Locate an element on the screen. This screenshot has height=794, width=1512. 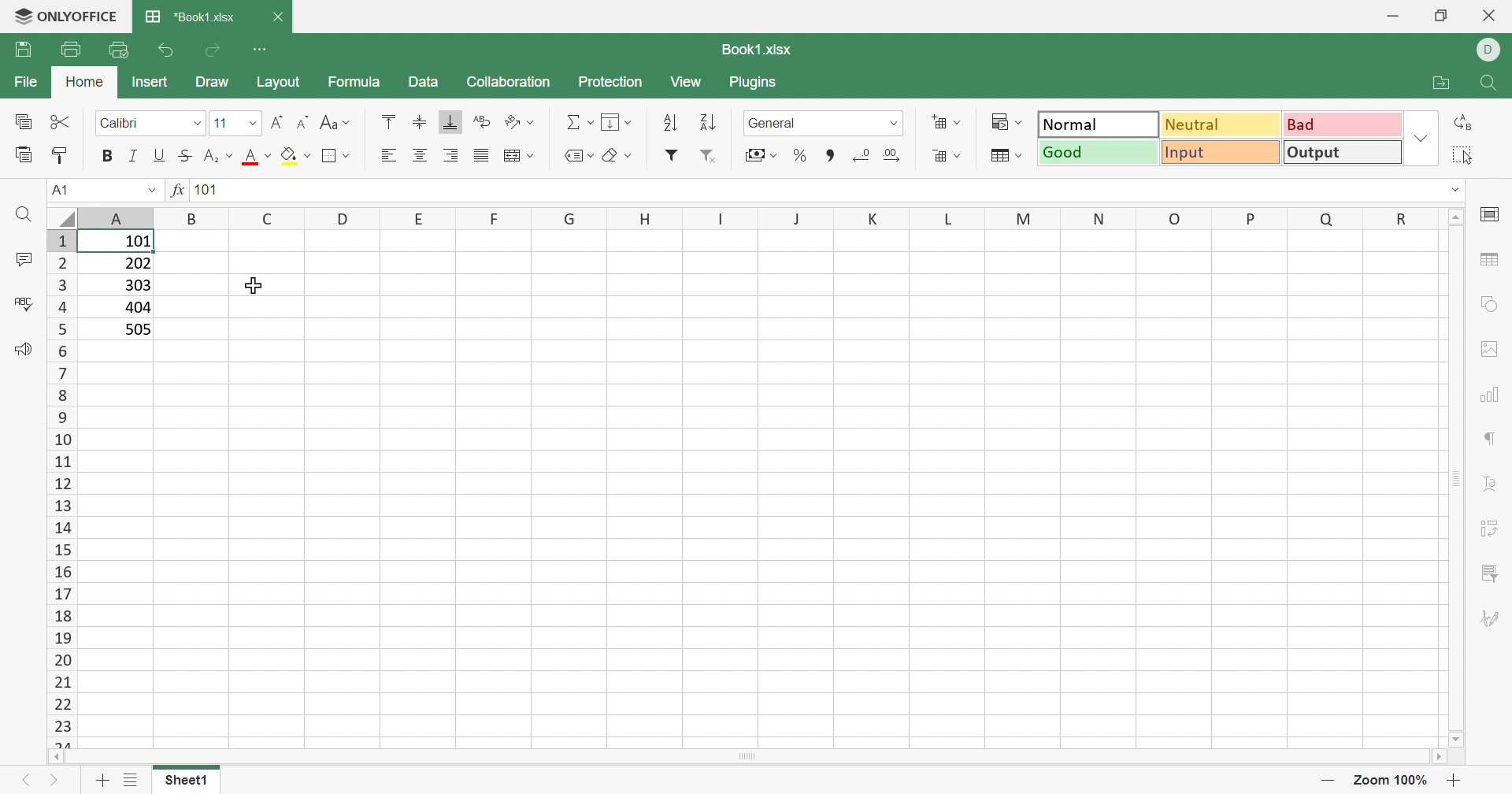
Output is located at coordinates (1344, 151).